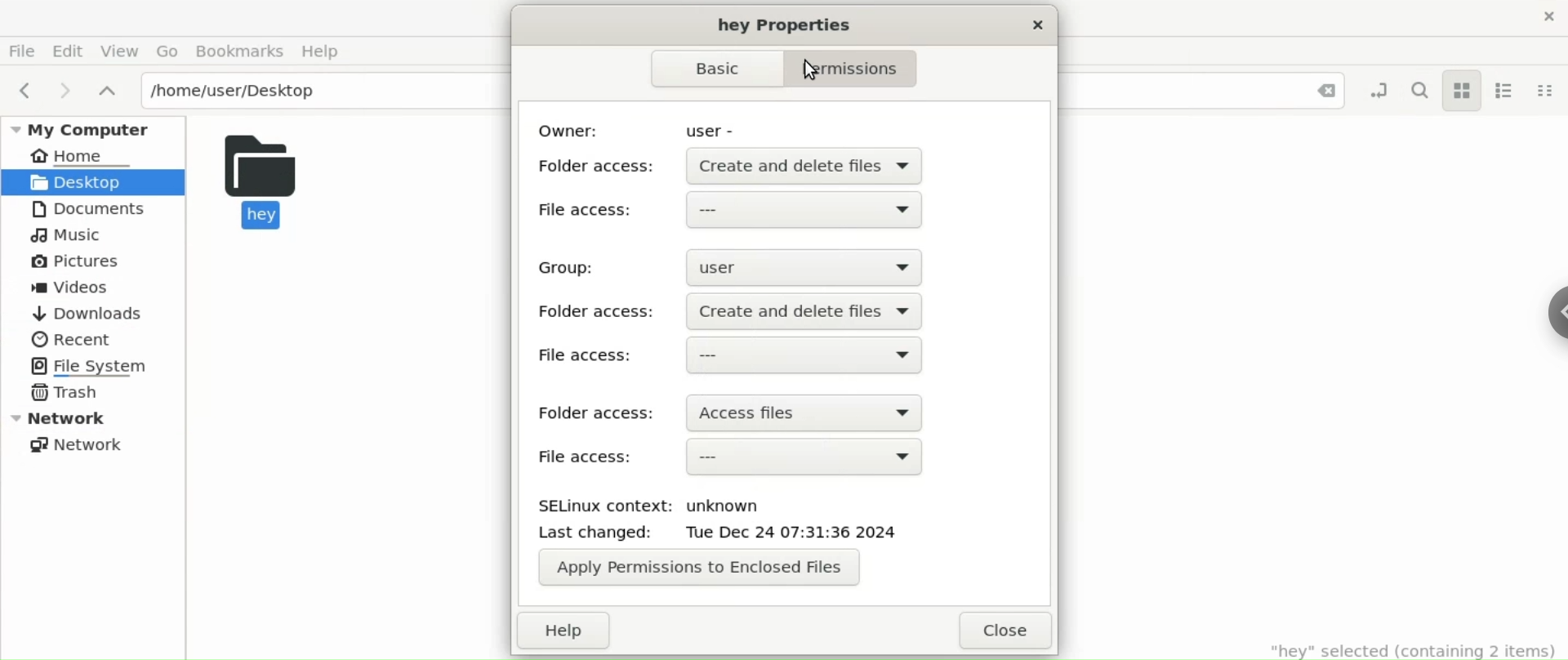  I want to click on list view, so click(1507, 92).